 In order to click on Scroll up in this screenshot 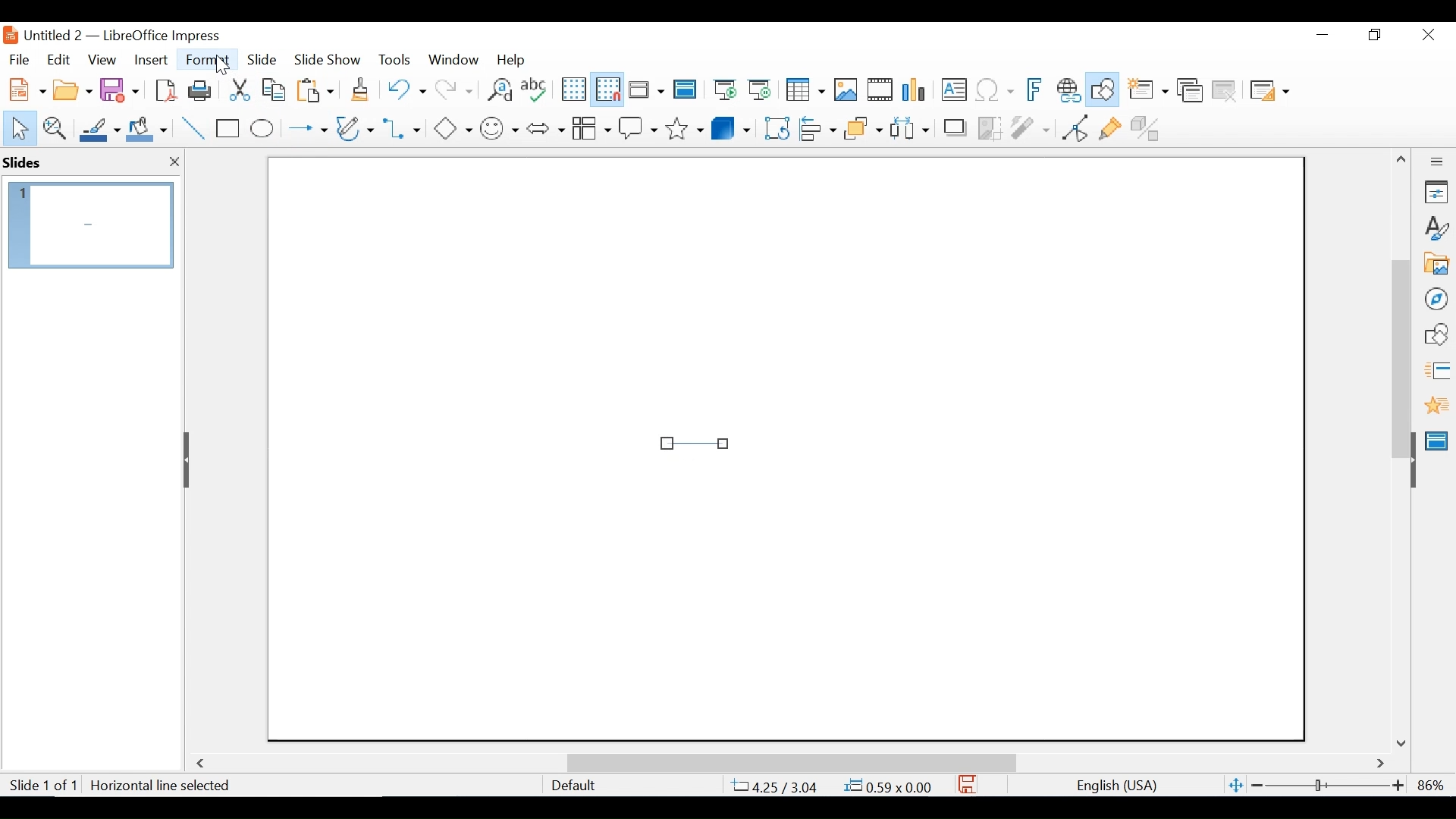, I will do `click(1402, 159)`.